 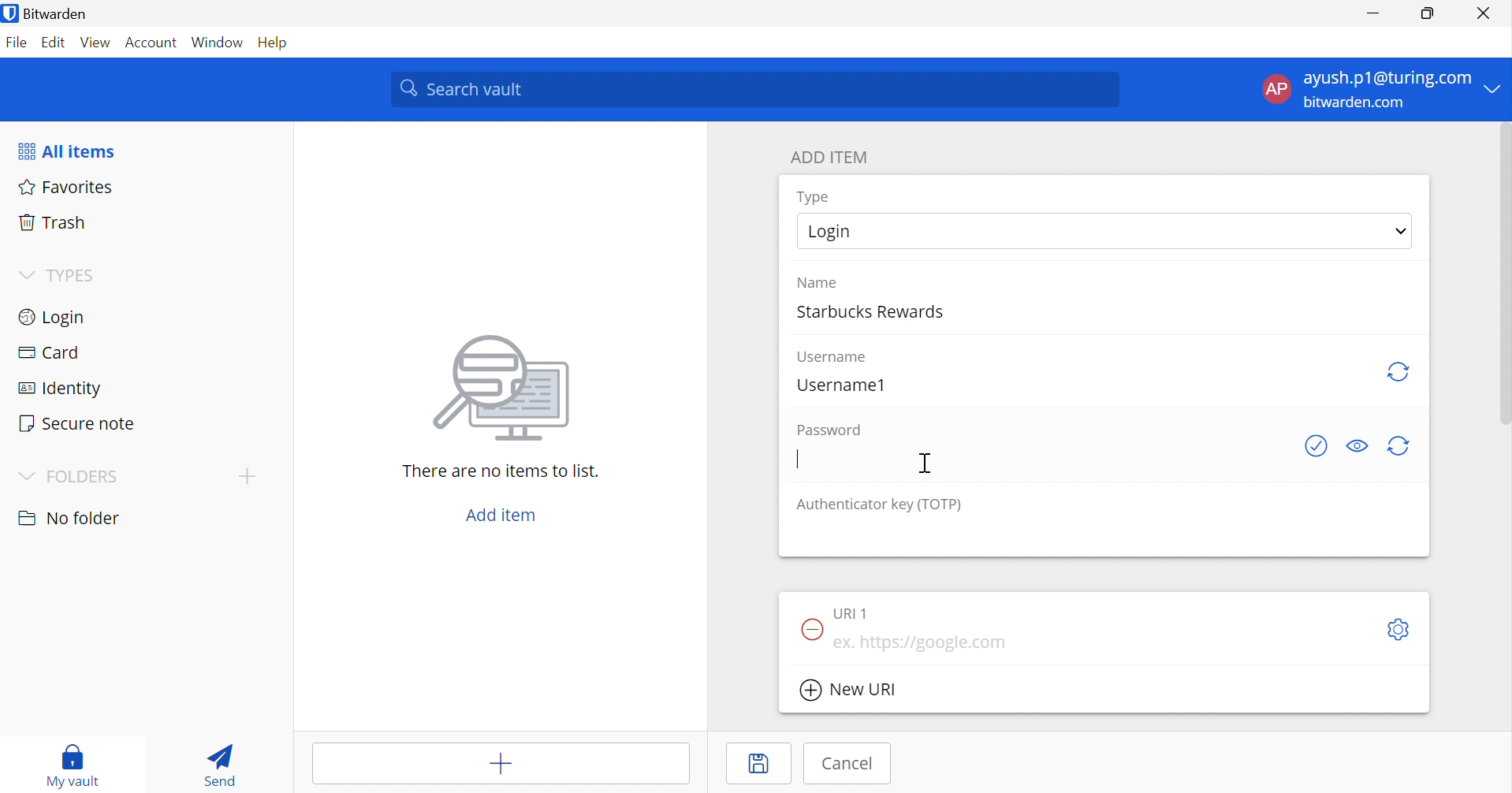 I want to click on Drop Down, so click(x=246, y=476).